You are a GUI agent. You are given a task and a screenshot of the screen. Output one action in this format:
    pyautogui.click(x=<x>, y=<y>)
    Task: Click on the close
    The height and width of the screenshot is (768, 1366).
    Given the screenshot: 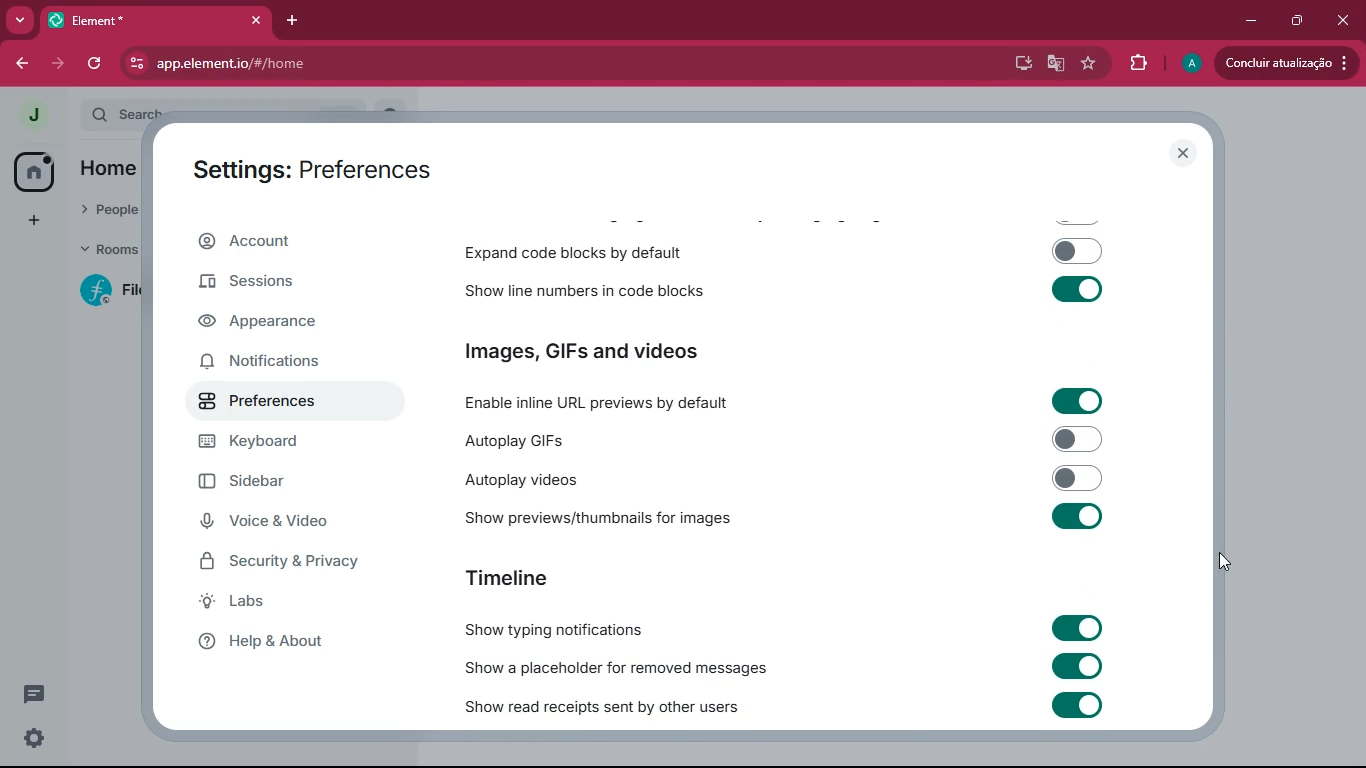 What is the action you would take?
    pyautogui.click(x=1180, y=152)
    